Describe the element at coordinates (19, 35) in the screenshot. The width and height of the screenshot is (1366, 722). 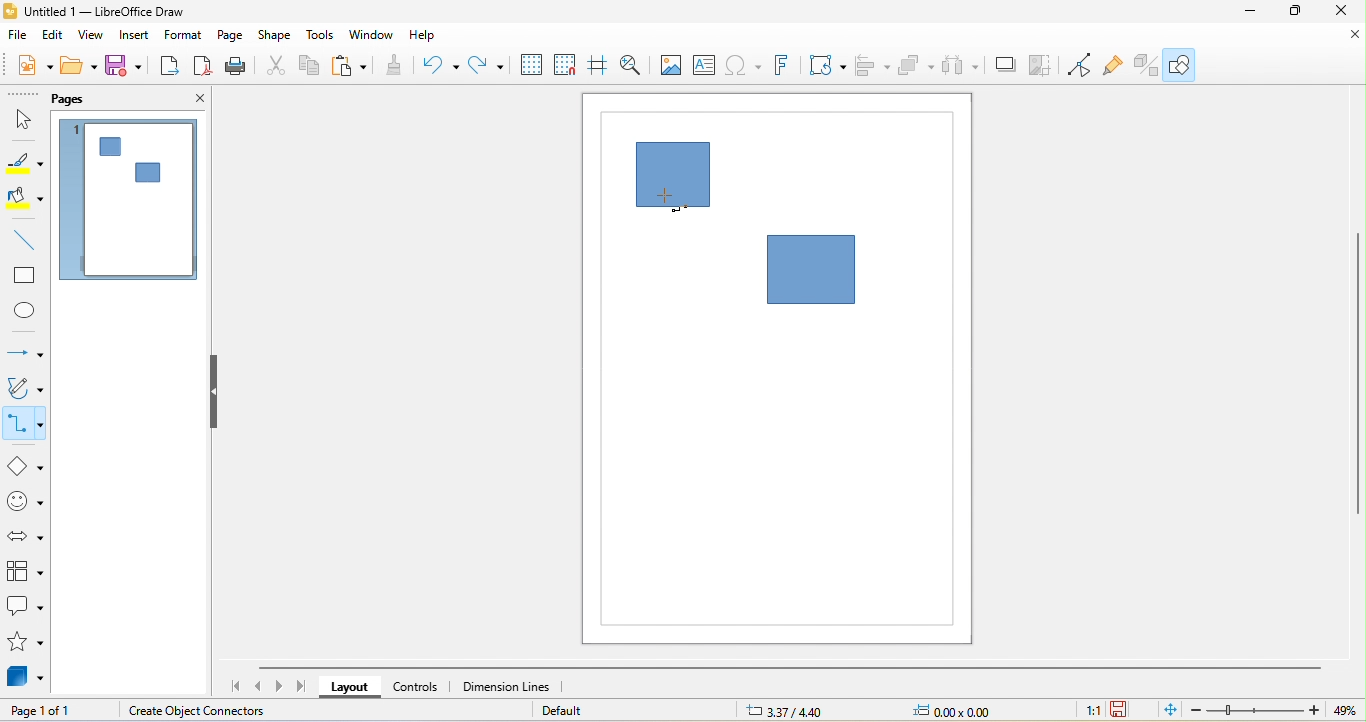
I see `file` at that location.